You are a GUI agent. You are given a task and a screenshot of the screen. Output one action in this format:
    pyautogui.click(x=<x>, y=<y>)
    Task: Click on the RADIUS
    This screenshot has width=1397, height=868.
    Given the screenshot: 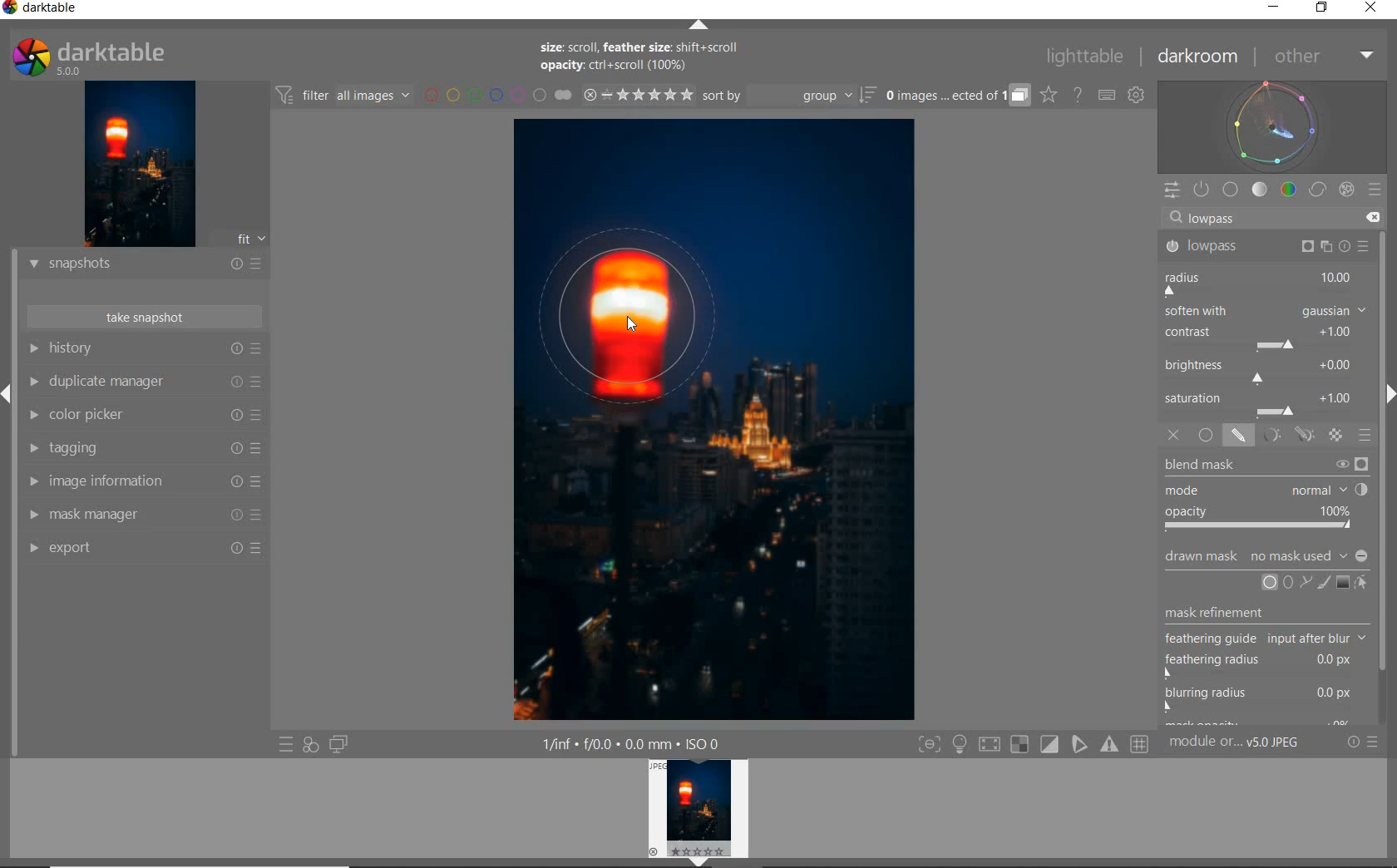 What is the action you would take?
    pyautogui.click(x=1263, y=282)
    